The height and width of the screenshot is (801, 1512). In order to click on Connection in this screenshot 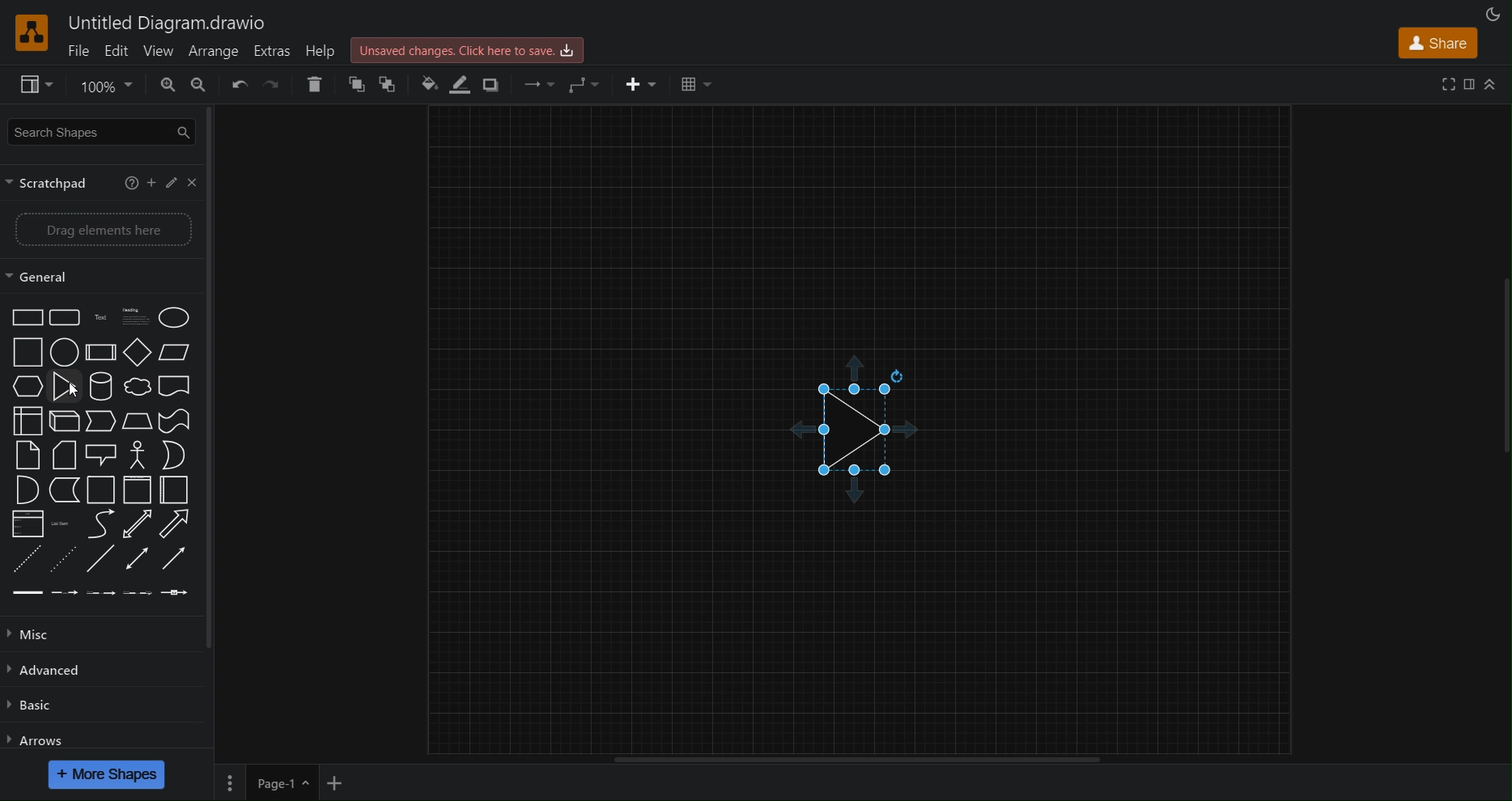, I will do `click(533, 87)`.